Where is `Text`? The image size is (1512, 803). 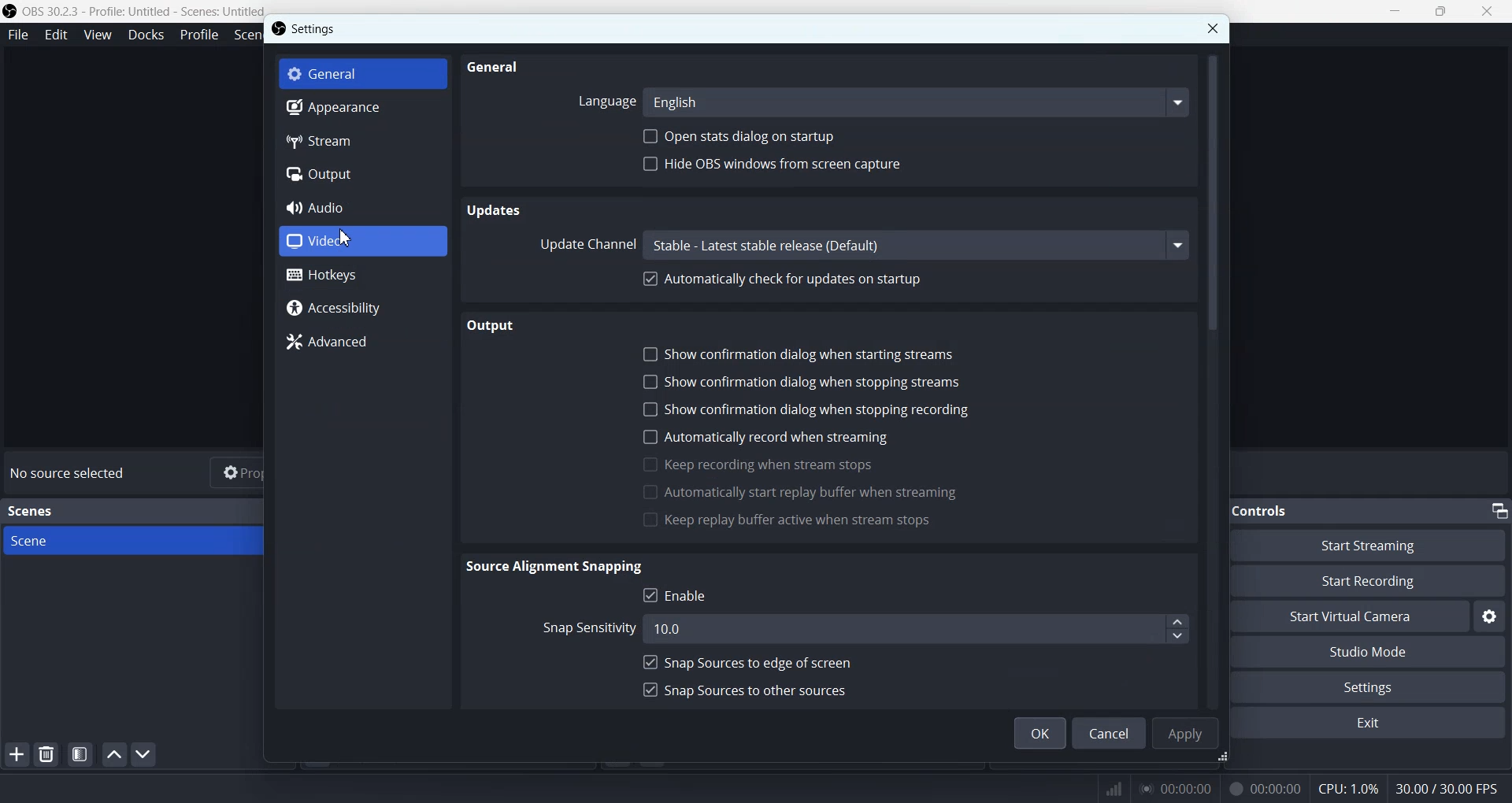
Text is located at coordinates (33, 511).